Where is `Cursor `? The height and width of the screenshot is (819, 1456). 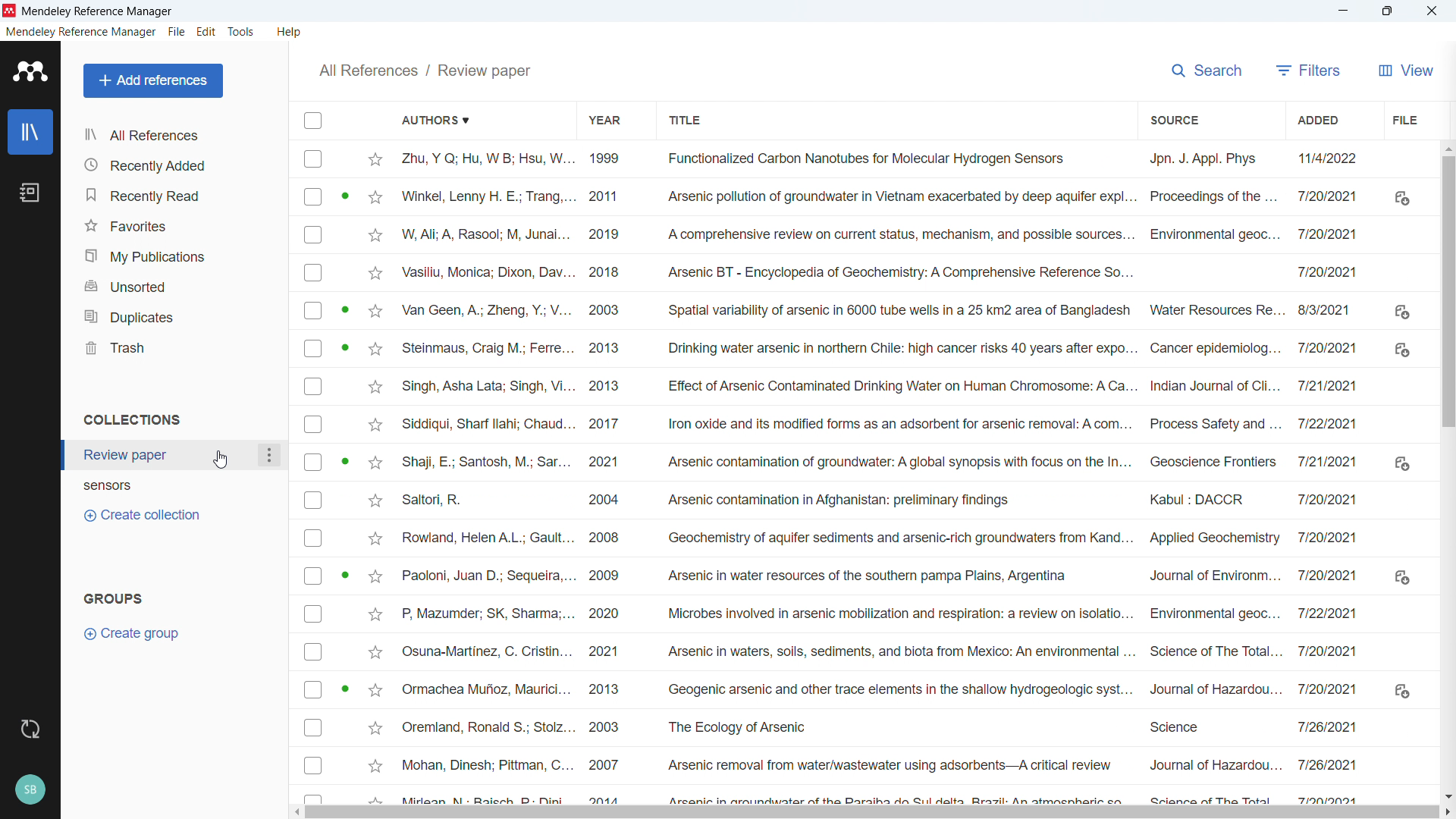
Cursor  is located at coordinates (218, 460).